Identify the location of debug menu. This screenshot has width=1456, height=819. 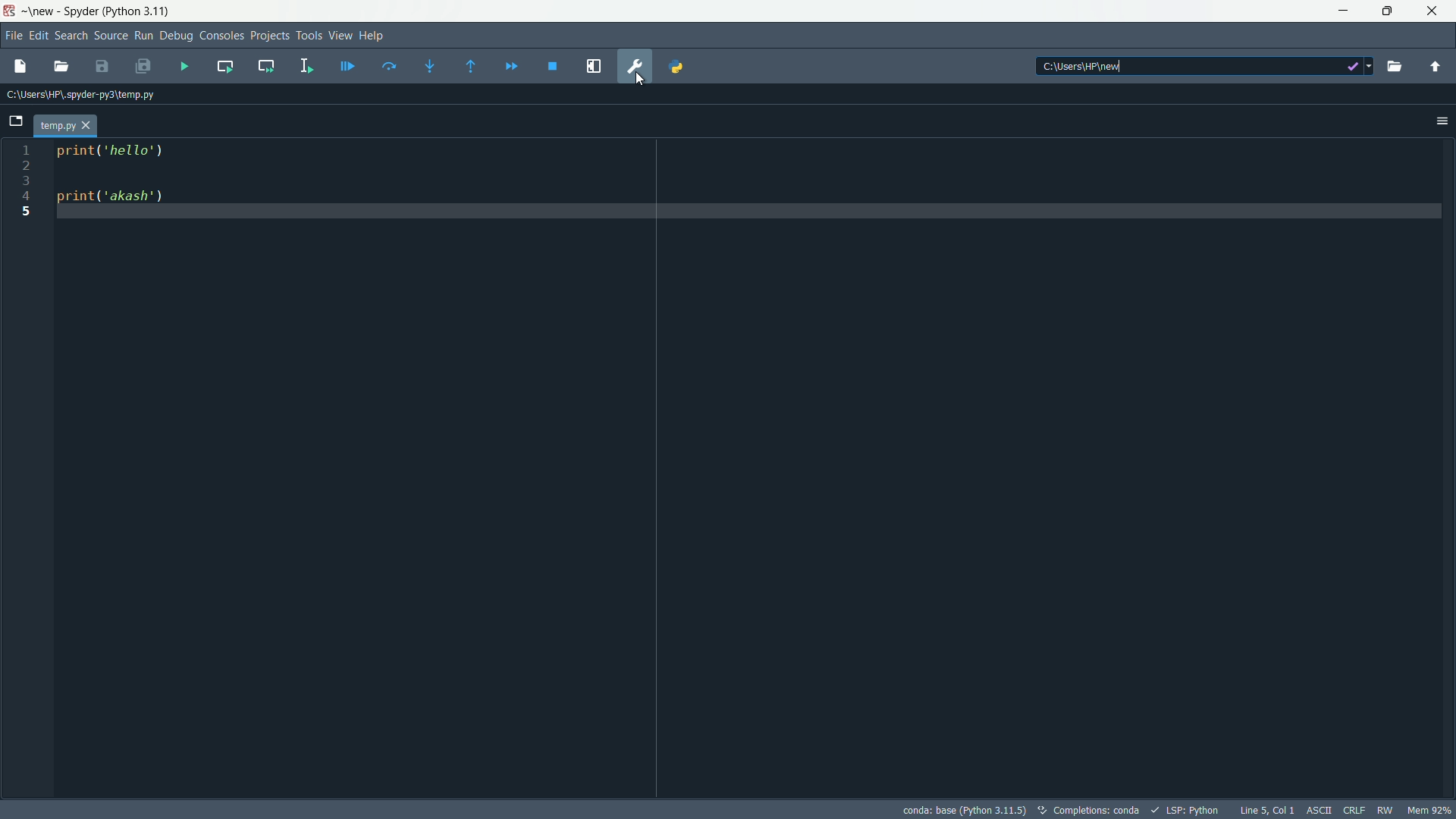
(177, 37).